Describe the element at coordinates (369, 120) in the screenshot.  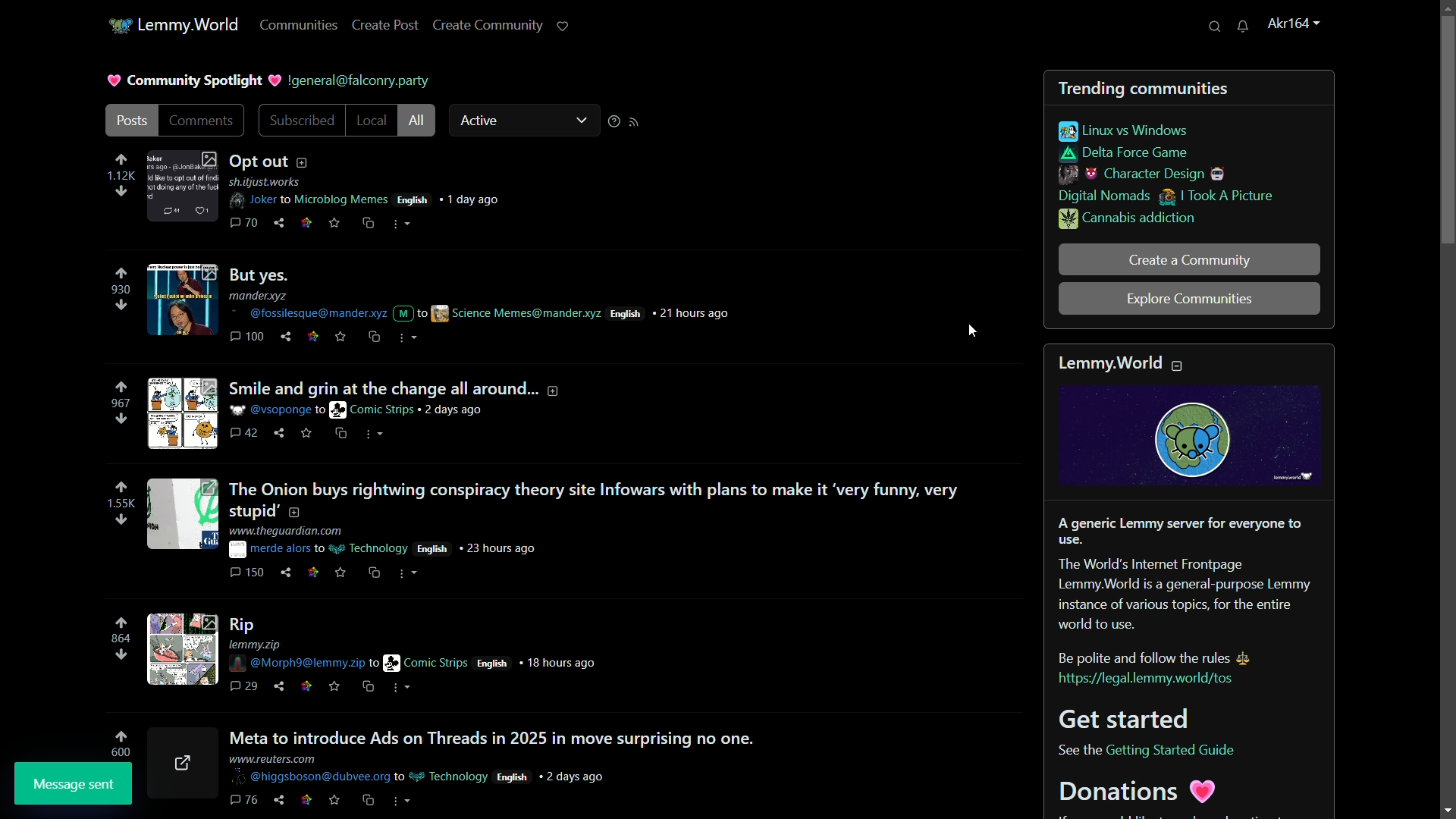
I see `local` at that location.